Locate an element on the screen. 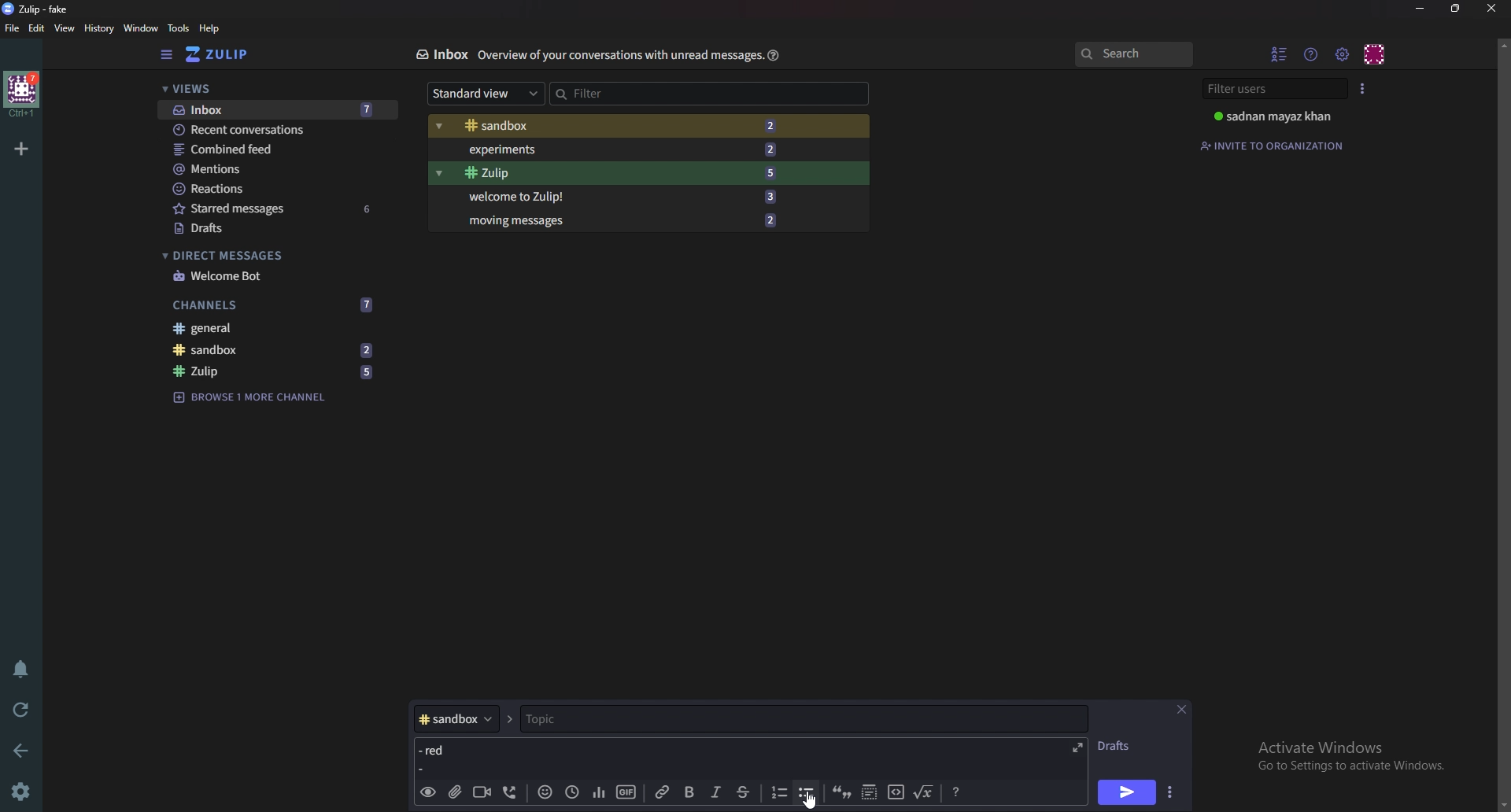  Emoji is located at coordinates (545, 791).